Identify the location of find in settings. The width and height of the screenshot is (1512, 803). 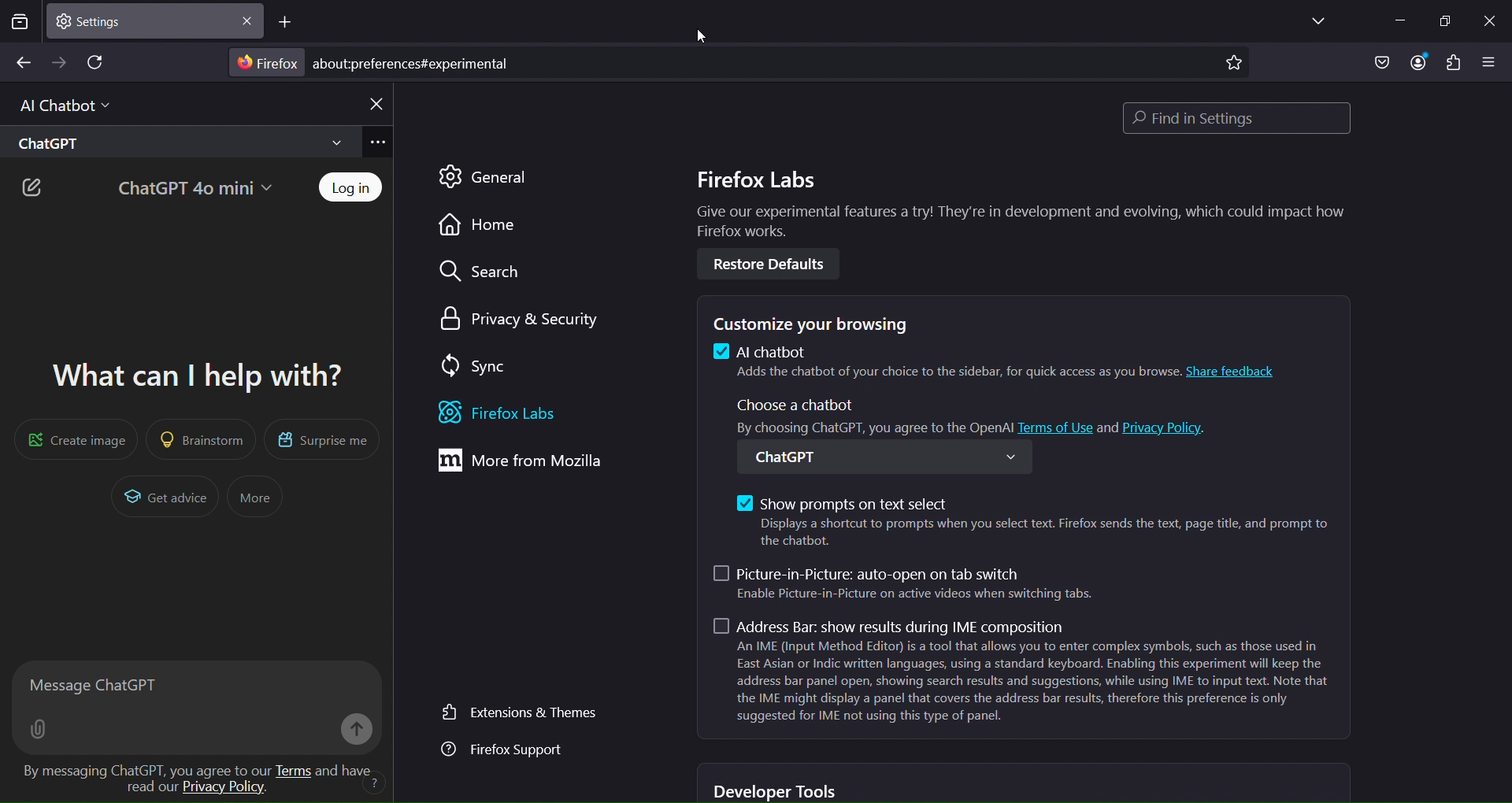
(1241, 118).